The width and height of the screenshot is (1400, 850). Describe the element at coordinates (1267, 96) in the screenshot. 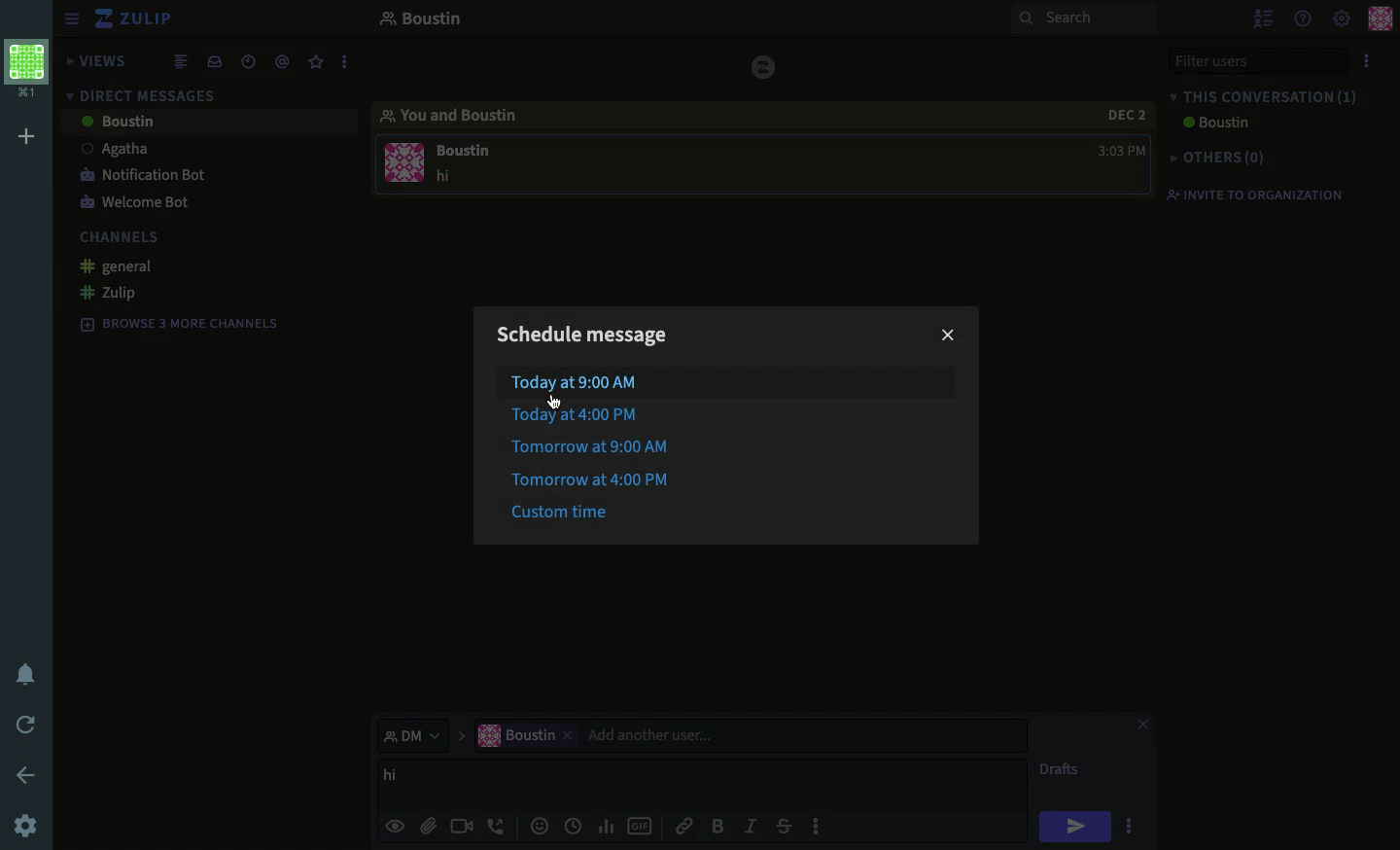

I see `this conversation` at that location.